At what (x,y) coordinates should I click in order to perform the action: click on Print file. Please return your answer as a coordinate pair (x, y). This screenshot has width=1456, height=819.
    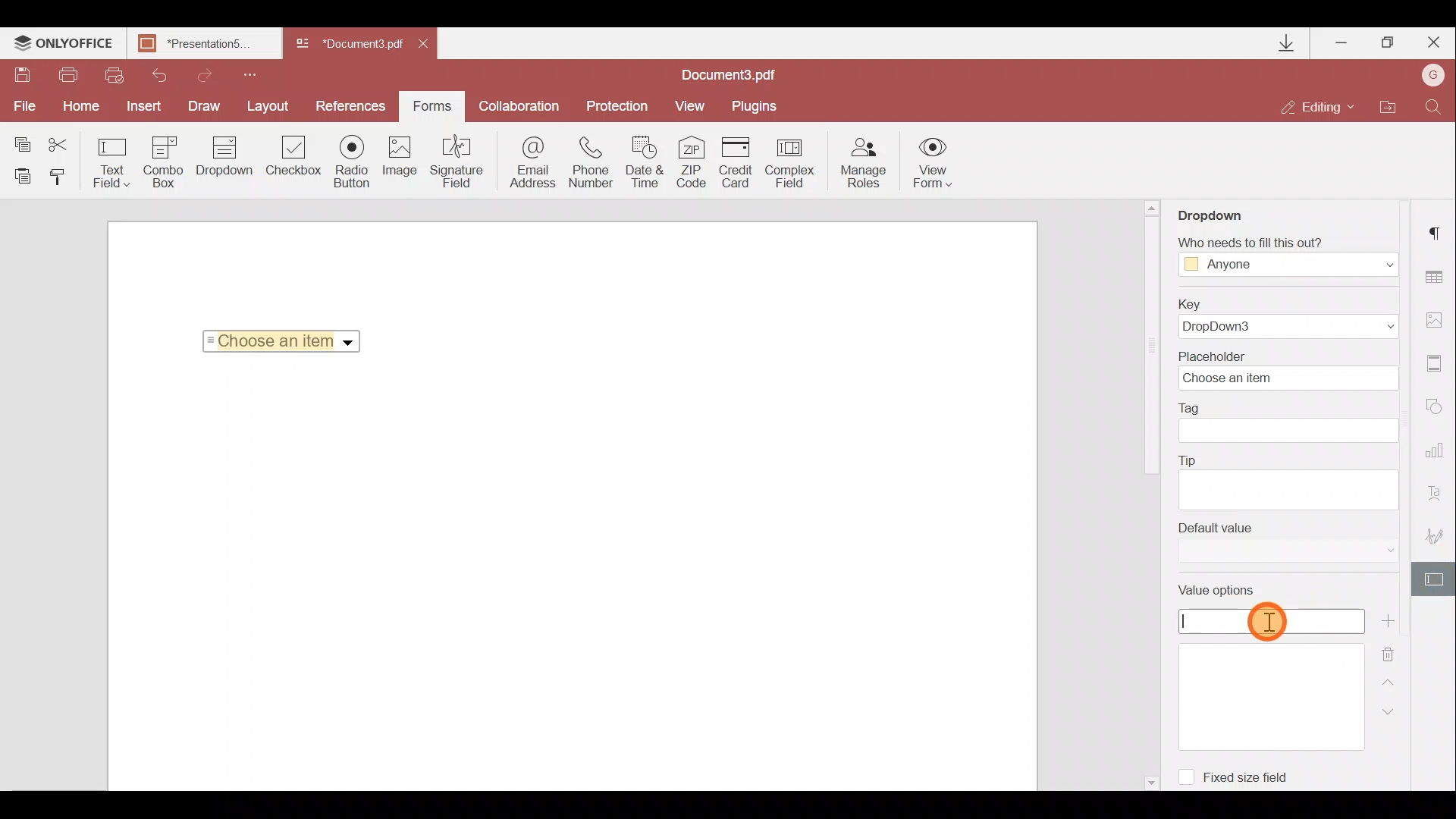
    Looking at the image, I should click on (73, 75).